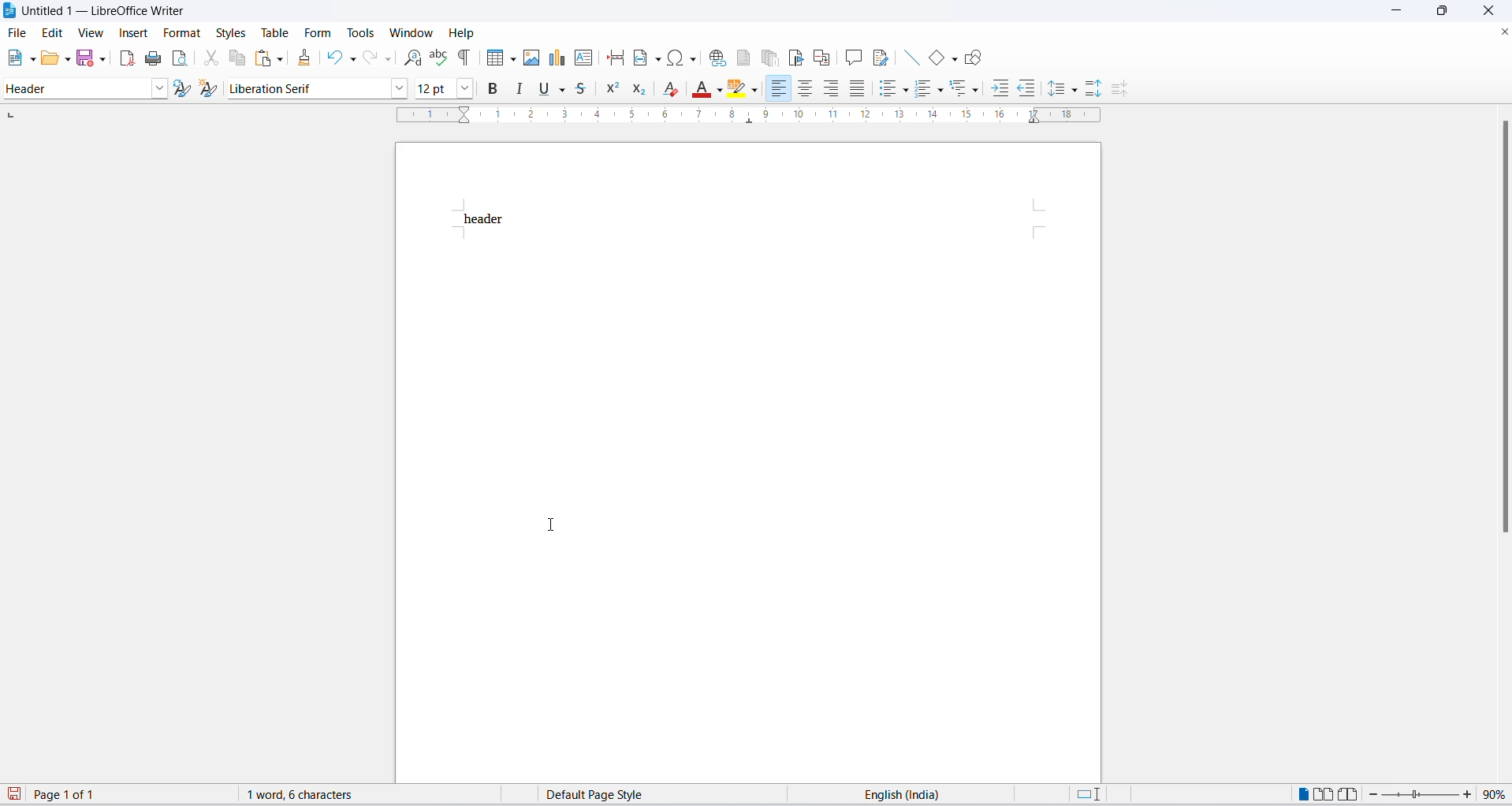 The image size is (1512, 806). What do you see at coordinates (832, 88) in the screenshot?
I see `text align center` at bounding box center [832, 88].